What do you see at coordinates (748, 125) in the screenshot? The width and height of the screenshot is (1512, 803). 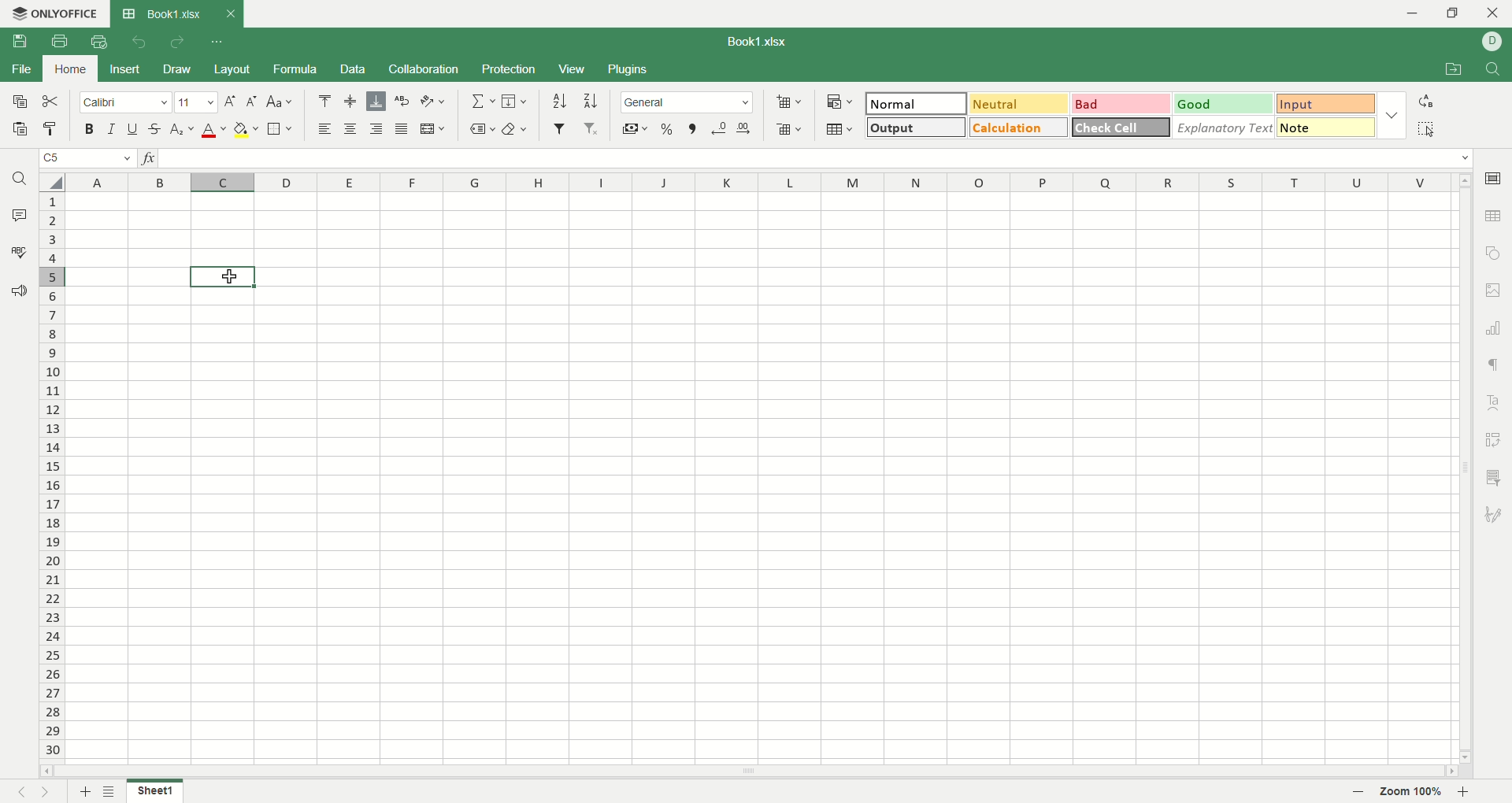 I see `increase decimal` at bounding box center [748, 125].